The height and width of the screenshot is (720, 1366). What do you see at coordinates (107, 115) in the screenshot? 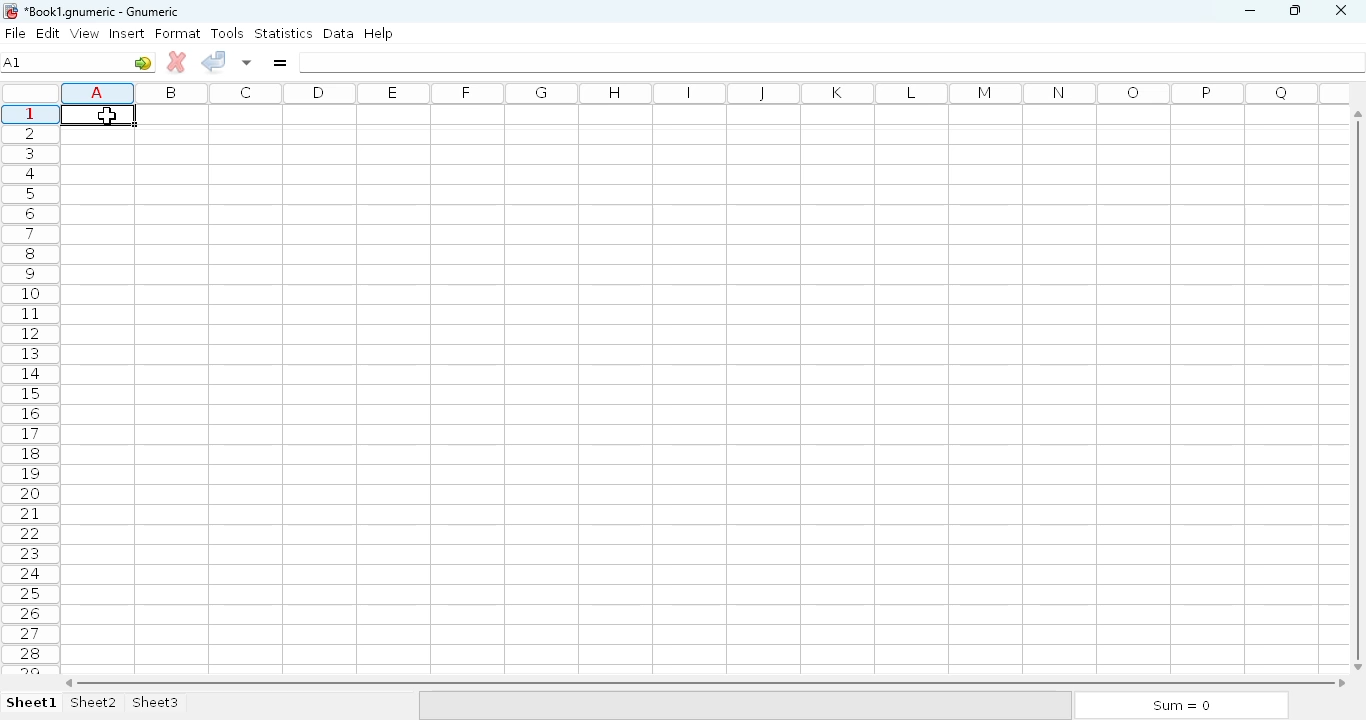
I see `Cursor` at bounding box center [107, 115].